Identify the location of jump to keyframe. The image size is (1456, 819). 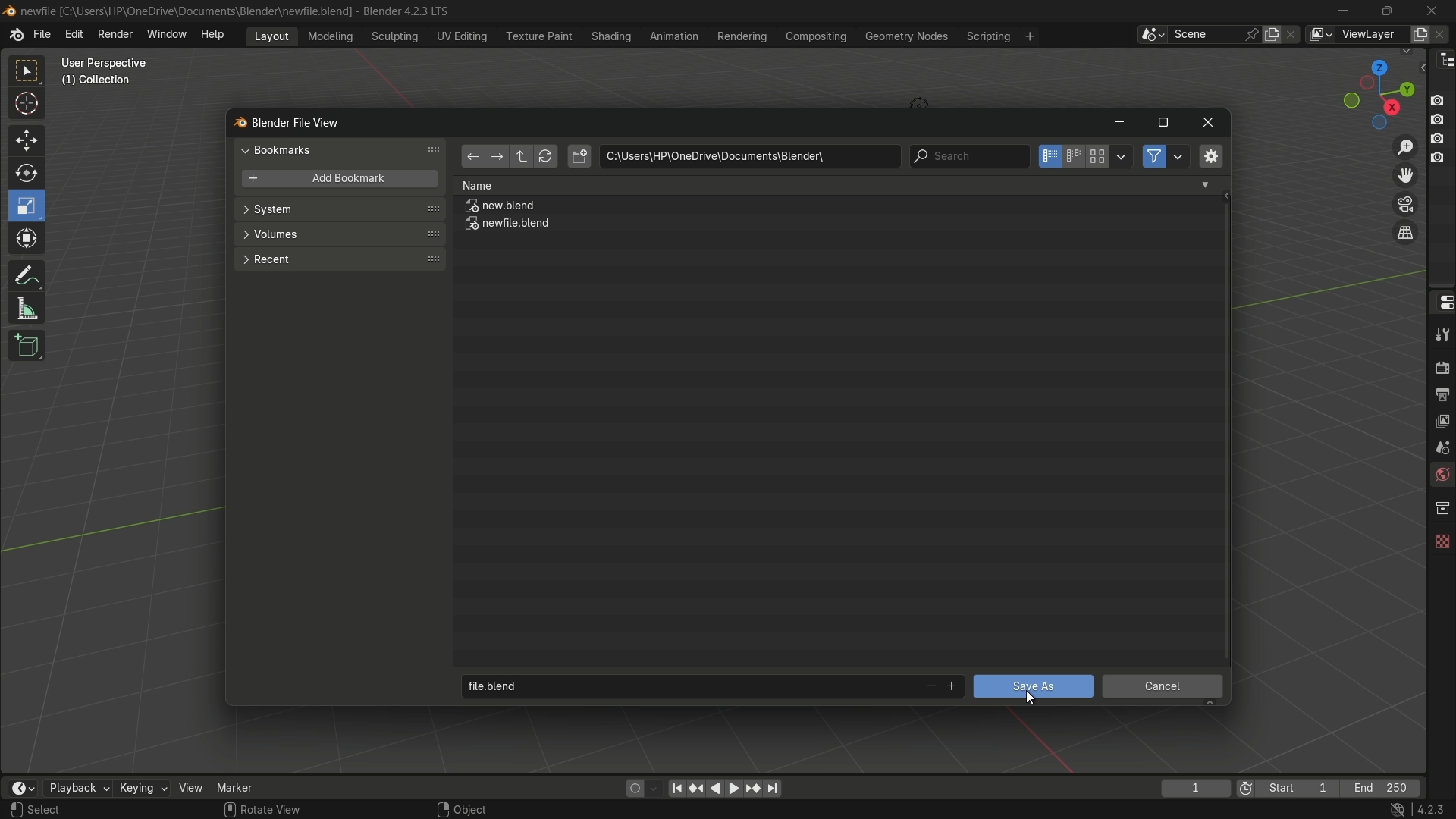
(753, 787).